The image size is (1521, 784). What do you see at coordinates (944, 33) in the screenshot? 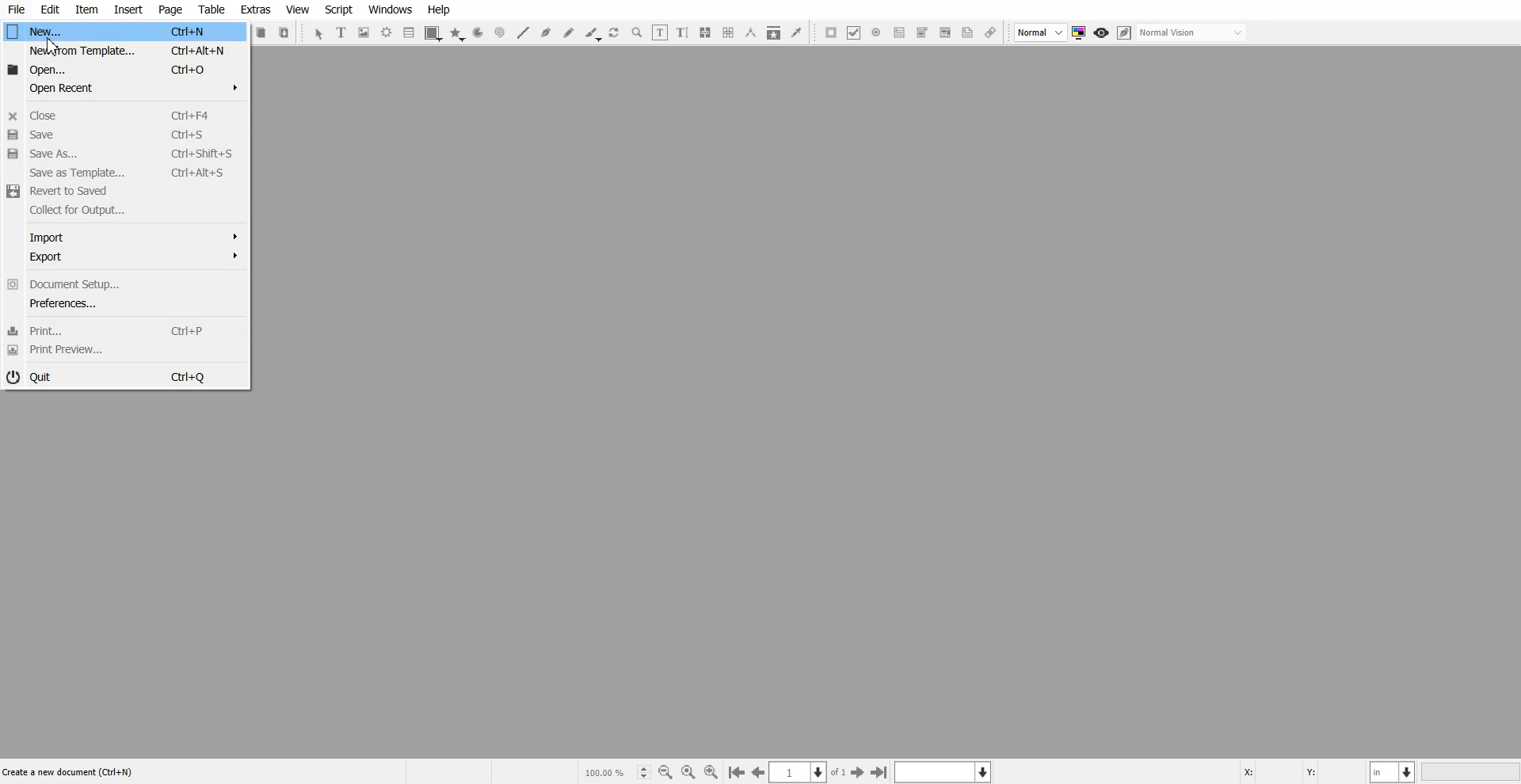
I see `PDF List Box` at bounding box center [944, 33].